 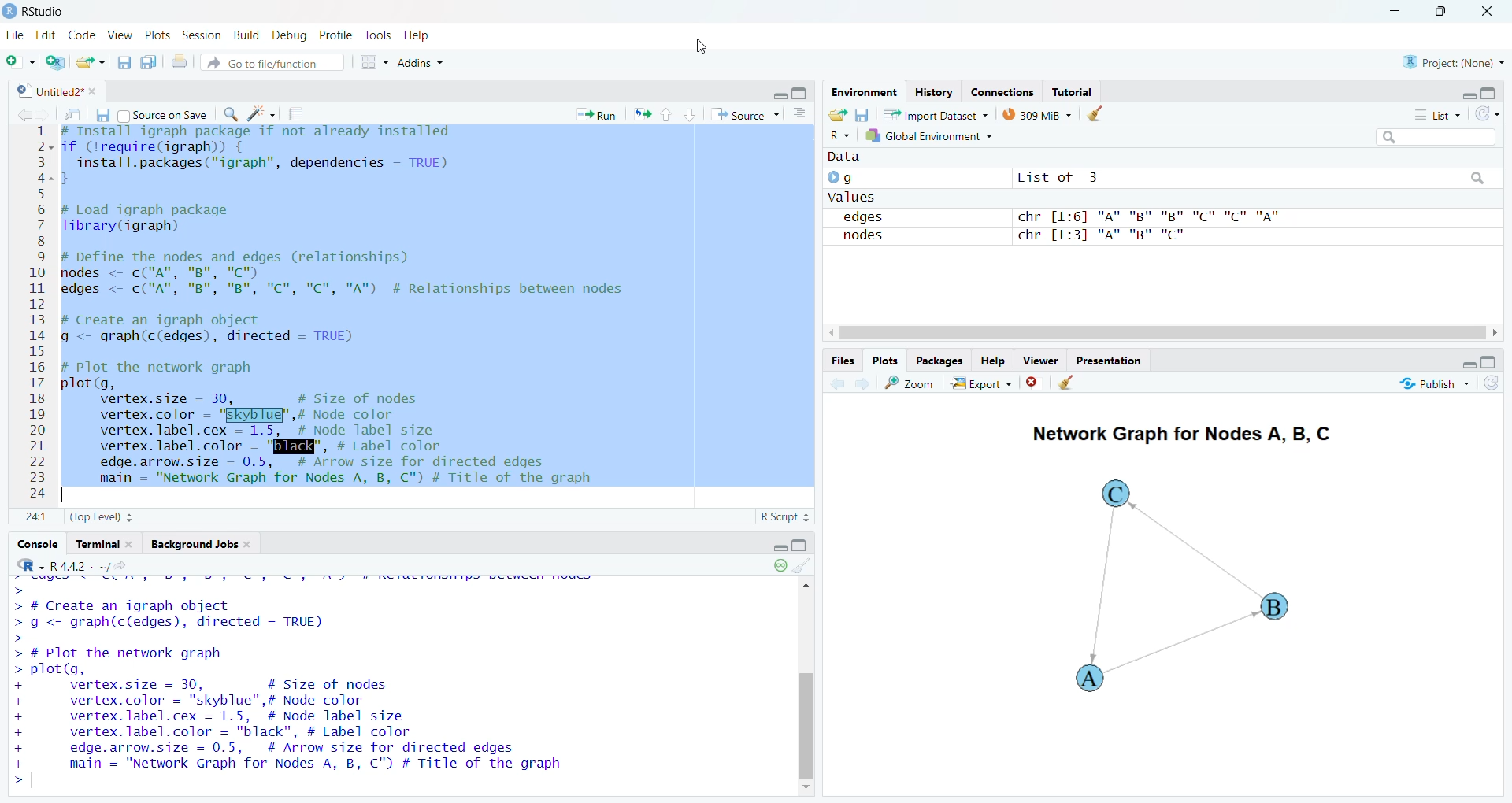 I want to click on * Source ~, so click(x=746, y=113).